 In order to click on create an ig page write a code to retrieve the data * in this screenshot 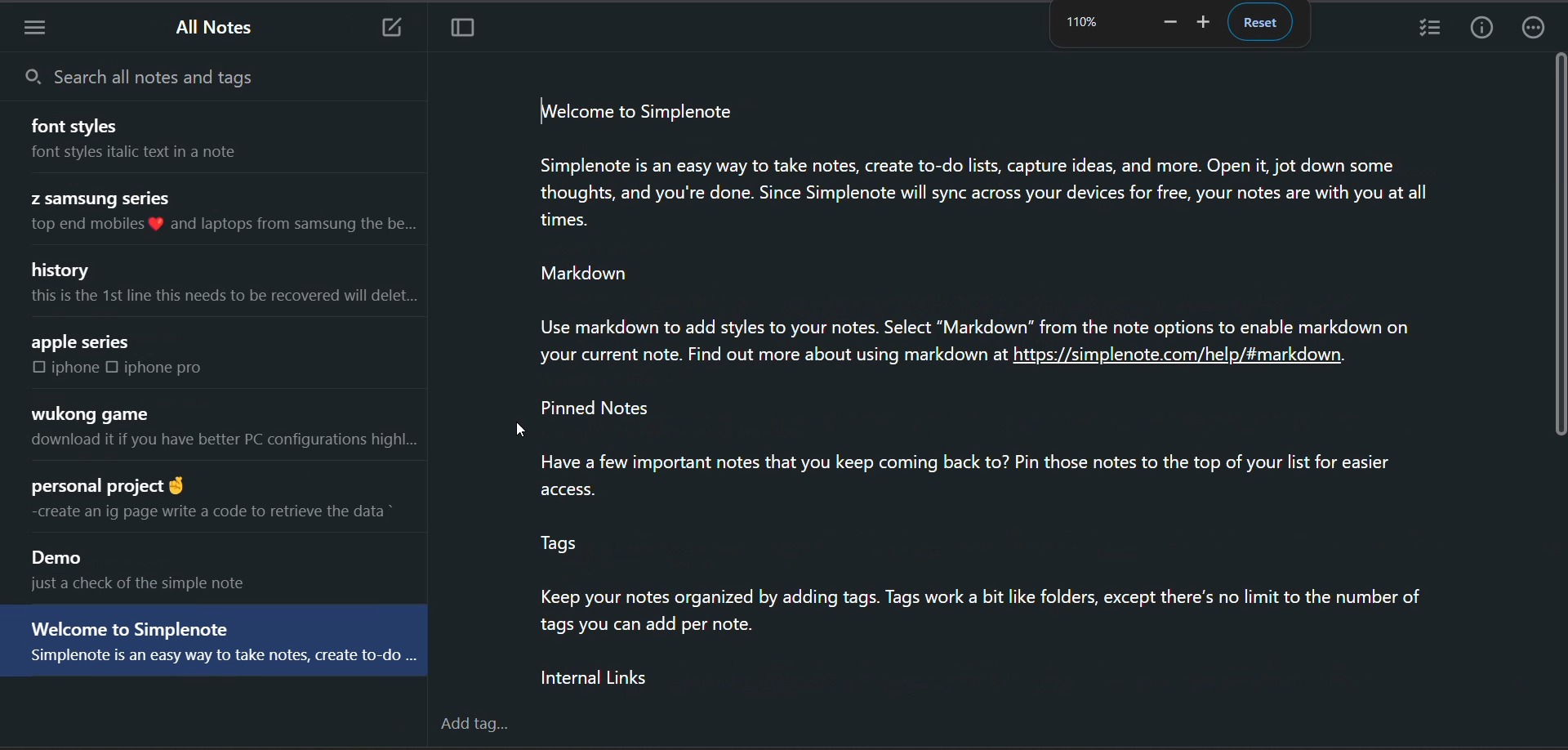, I will do `click(221, 519)`.